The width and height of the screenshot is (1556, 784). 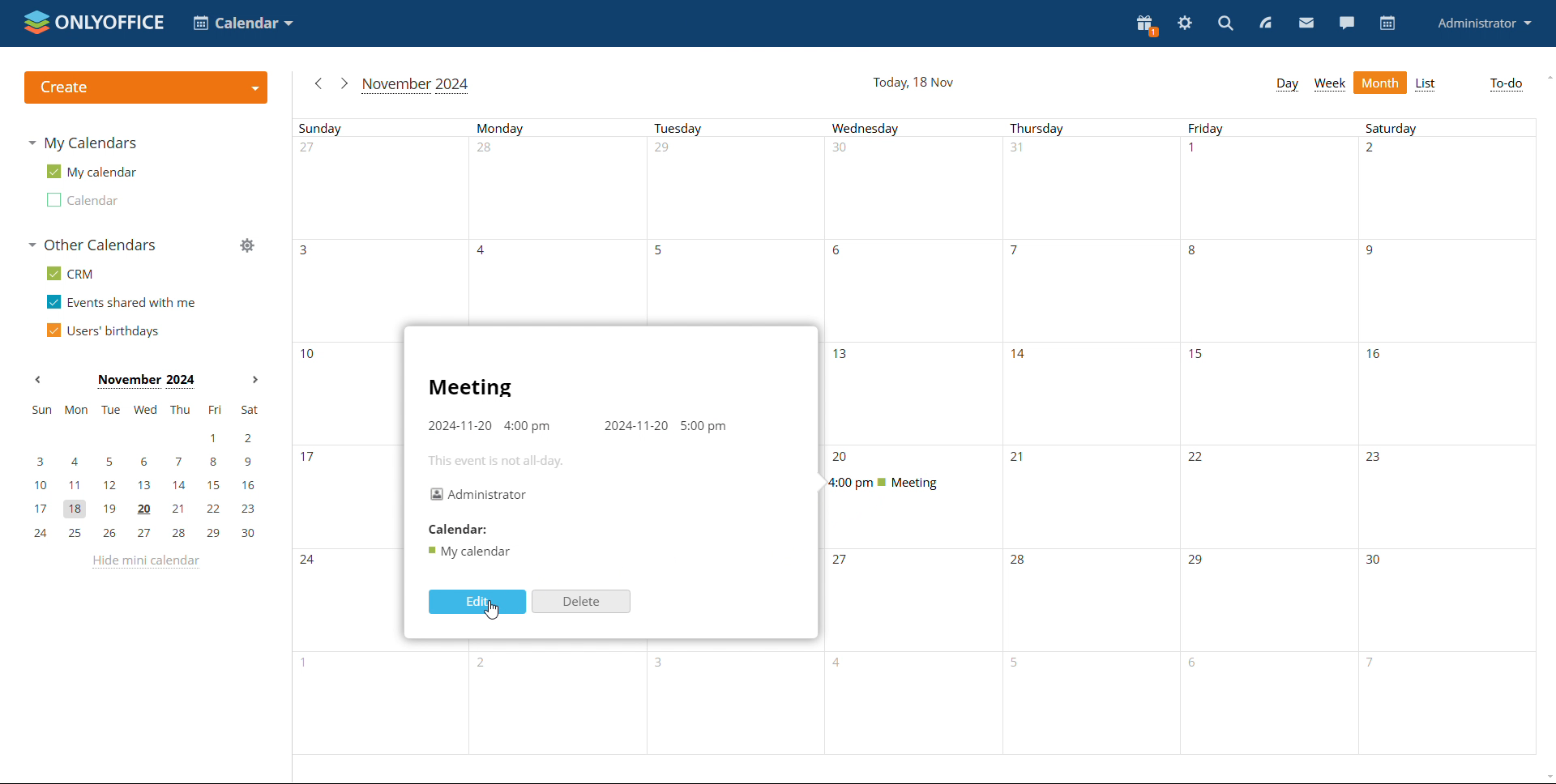 I want to click on events shared with me, so click(x=122, y=301).